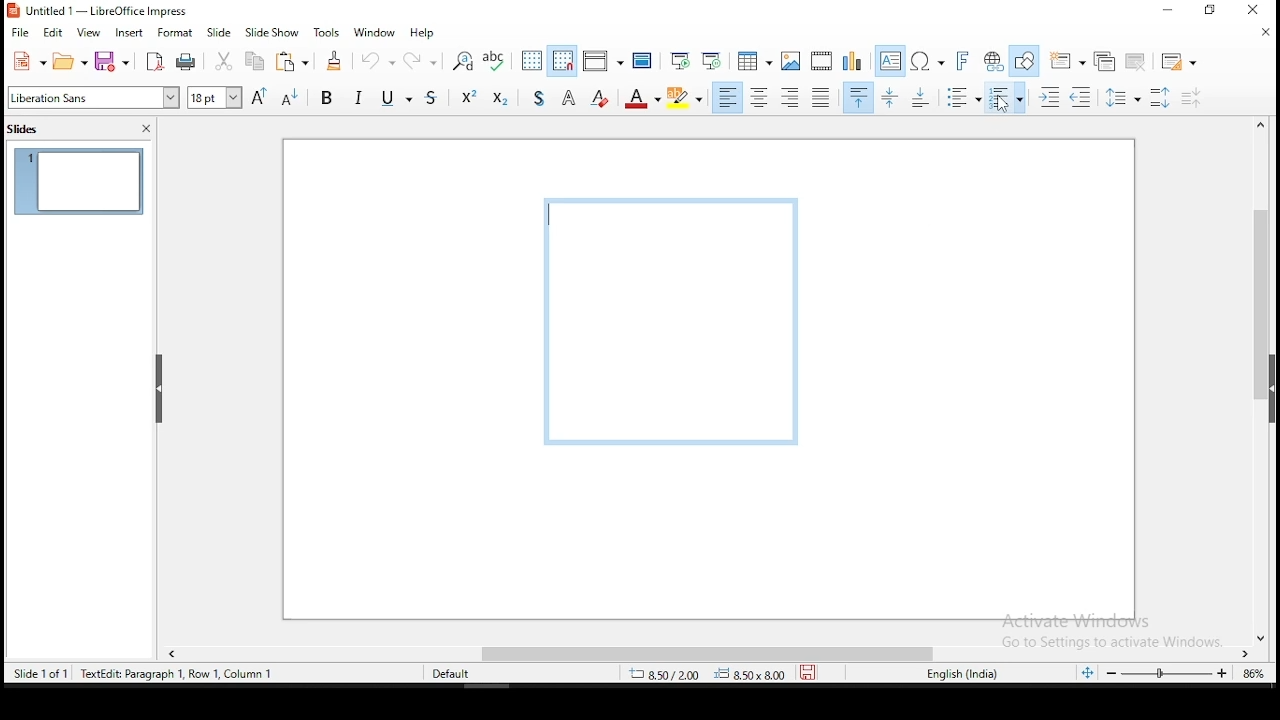  What do you see at coordinates (256, 62) in the screenshot?
I see `copy` at bounding box center [256, 62].